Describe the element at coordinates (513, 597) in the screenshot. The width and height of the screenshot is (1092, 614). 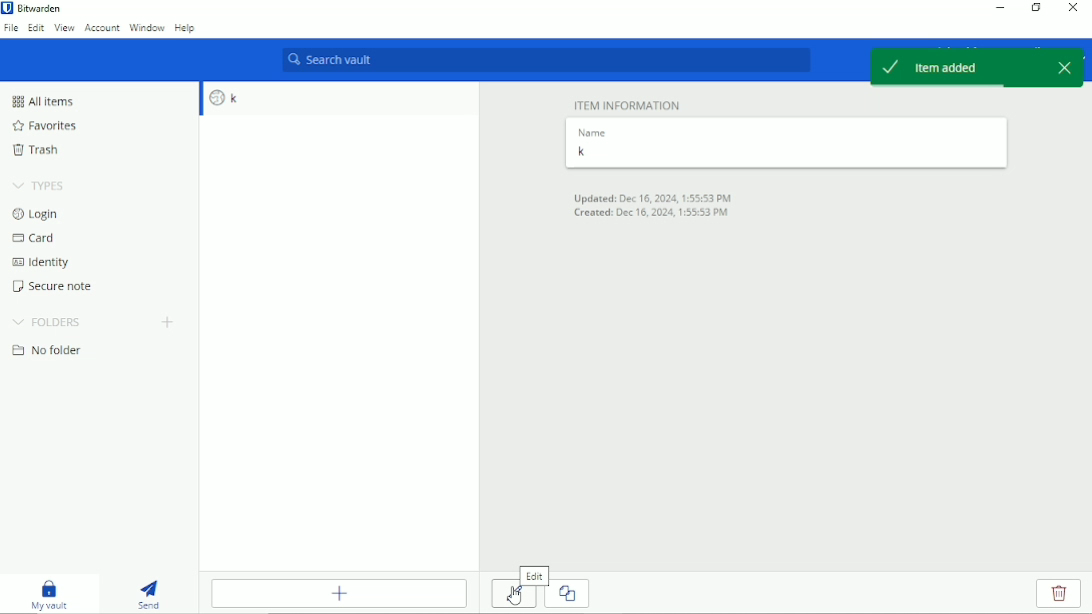
I see `Edit` at that location.